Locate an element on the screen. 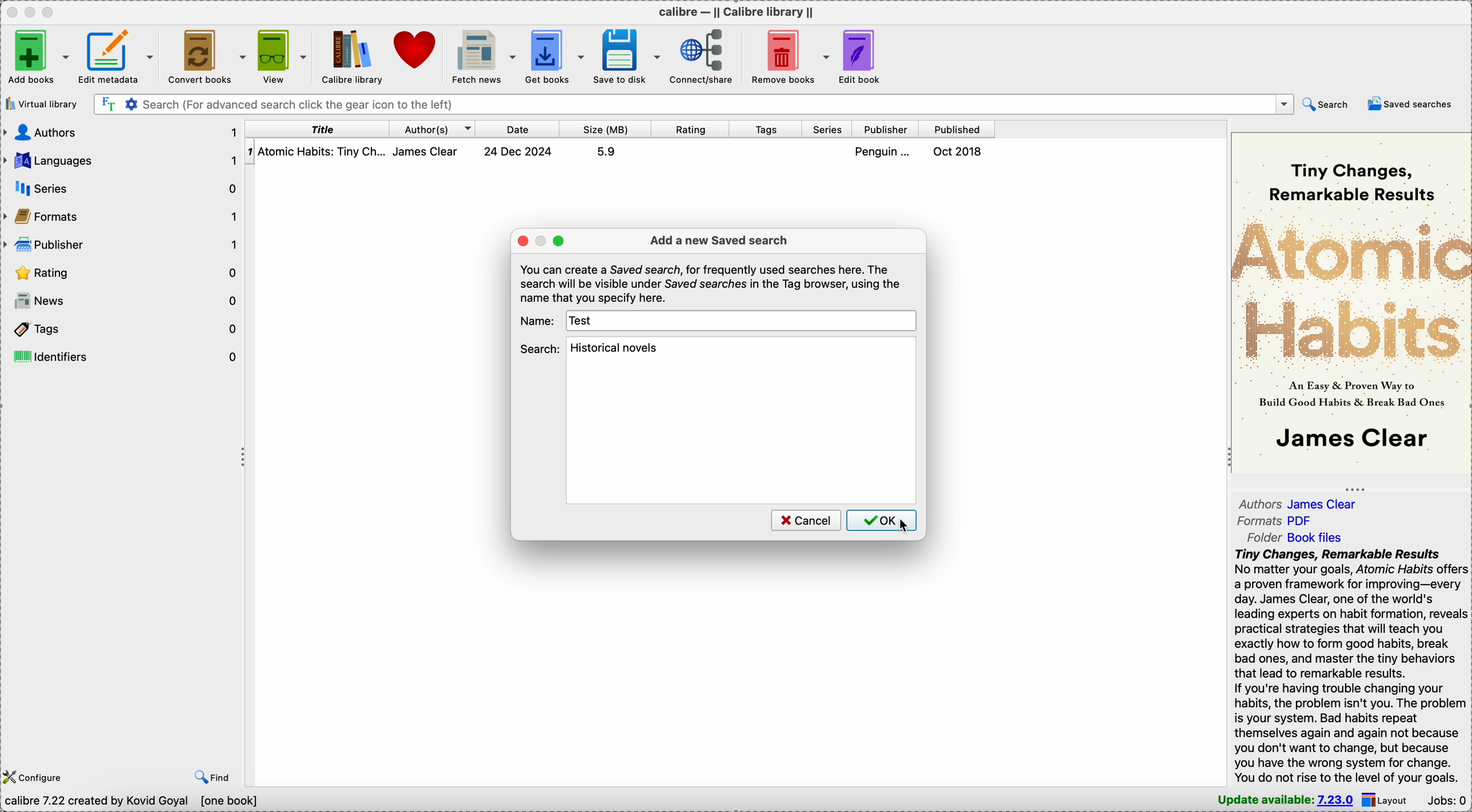  title is located at coordinates (318, 129).